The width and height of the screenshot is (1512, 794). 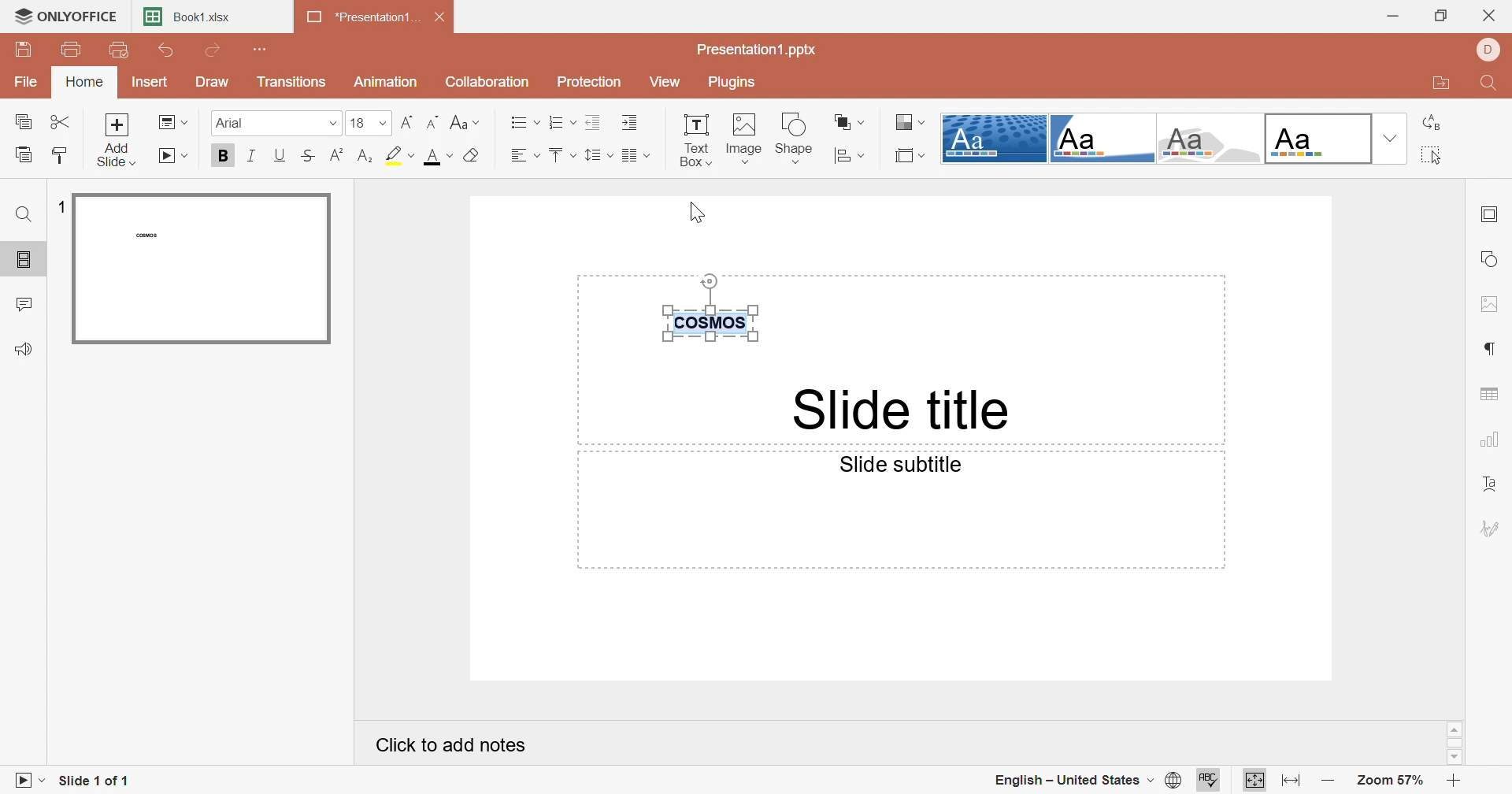 What do you see at coordinates (120, 143) in the screenshot?
I see `Add side` at bounding box center [120, 143].